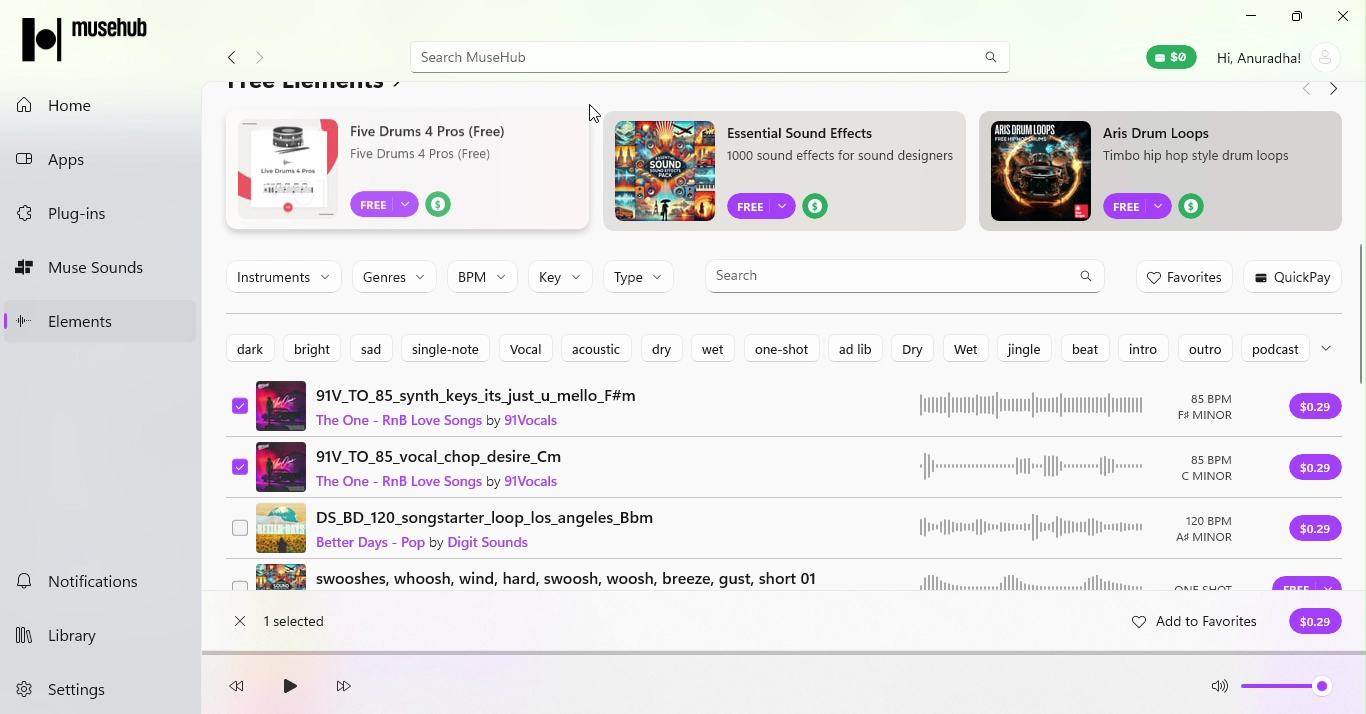 The height and width of the screenshot is (714, 1366). Describe the element at coordinates (95, 584) in the screenshot. I see `Notifications` at that location.